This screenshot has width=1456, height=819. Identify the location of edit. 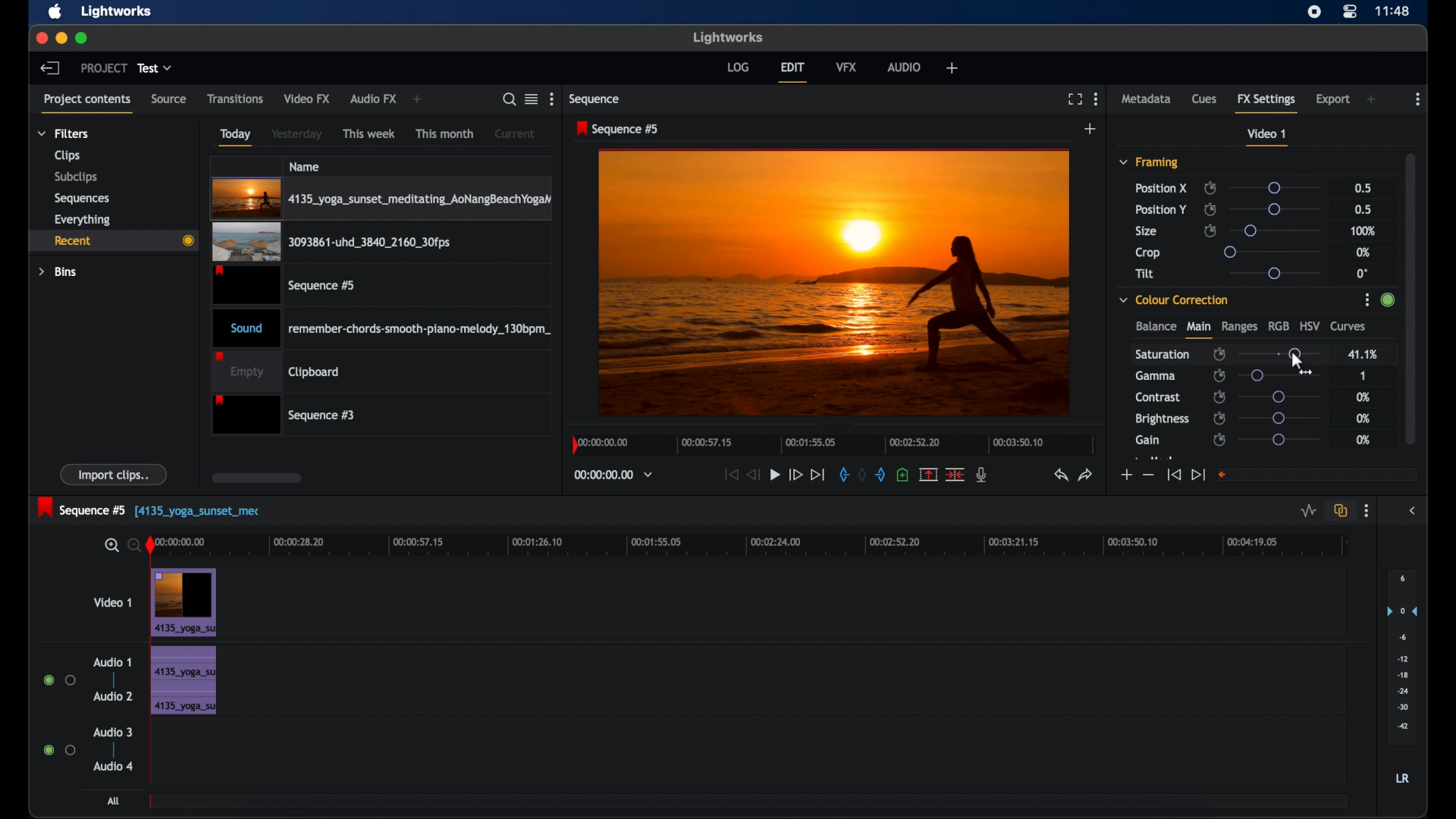
(792, 72).